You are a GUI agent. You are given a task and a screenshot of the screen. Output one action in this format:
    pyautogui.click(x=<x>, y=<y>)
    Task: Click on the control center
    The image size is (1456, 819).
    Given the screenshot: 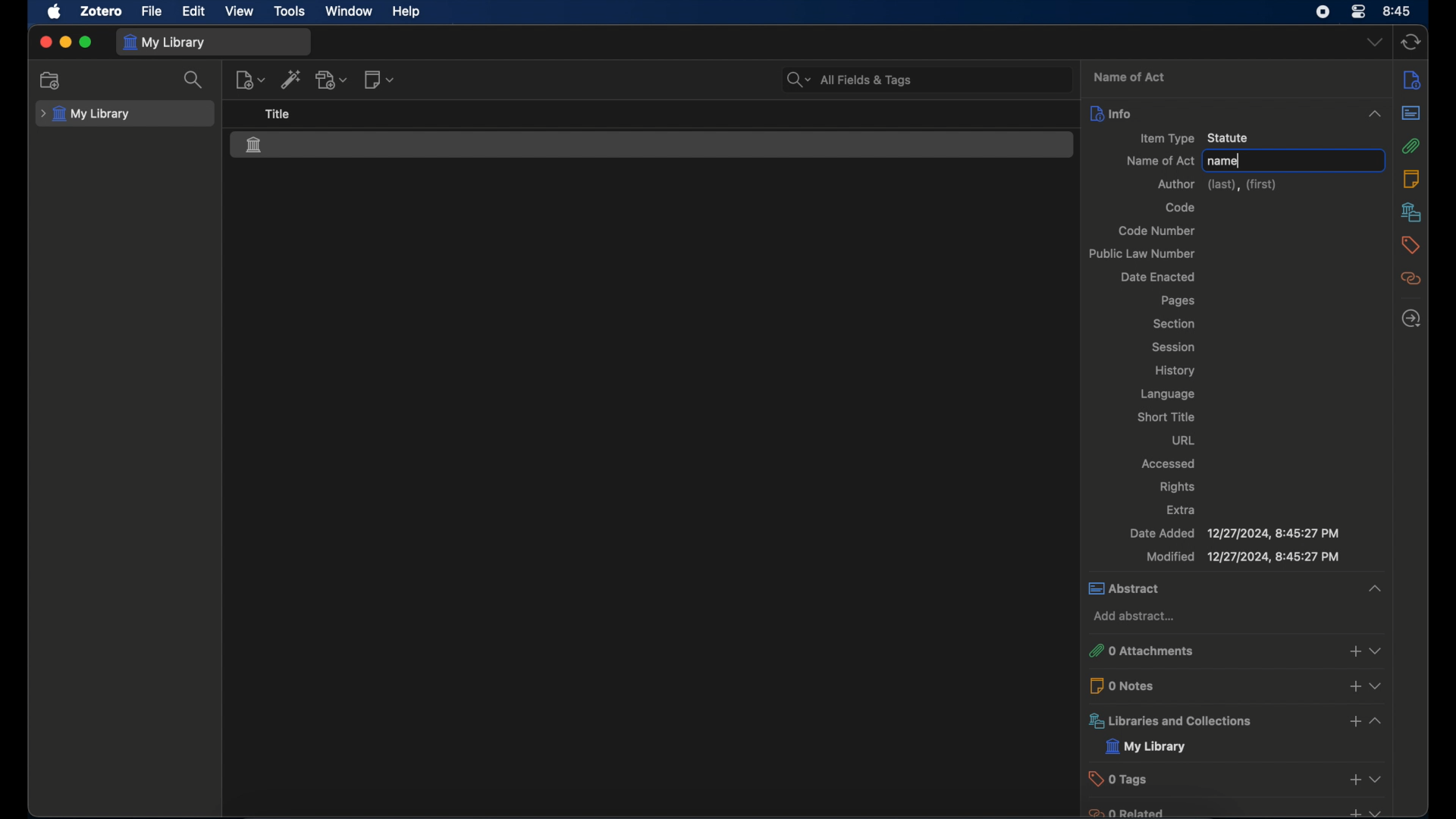 What is the action you would take?
    pyautogui.click(x=1323, y=12)
    